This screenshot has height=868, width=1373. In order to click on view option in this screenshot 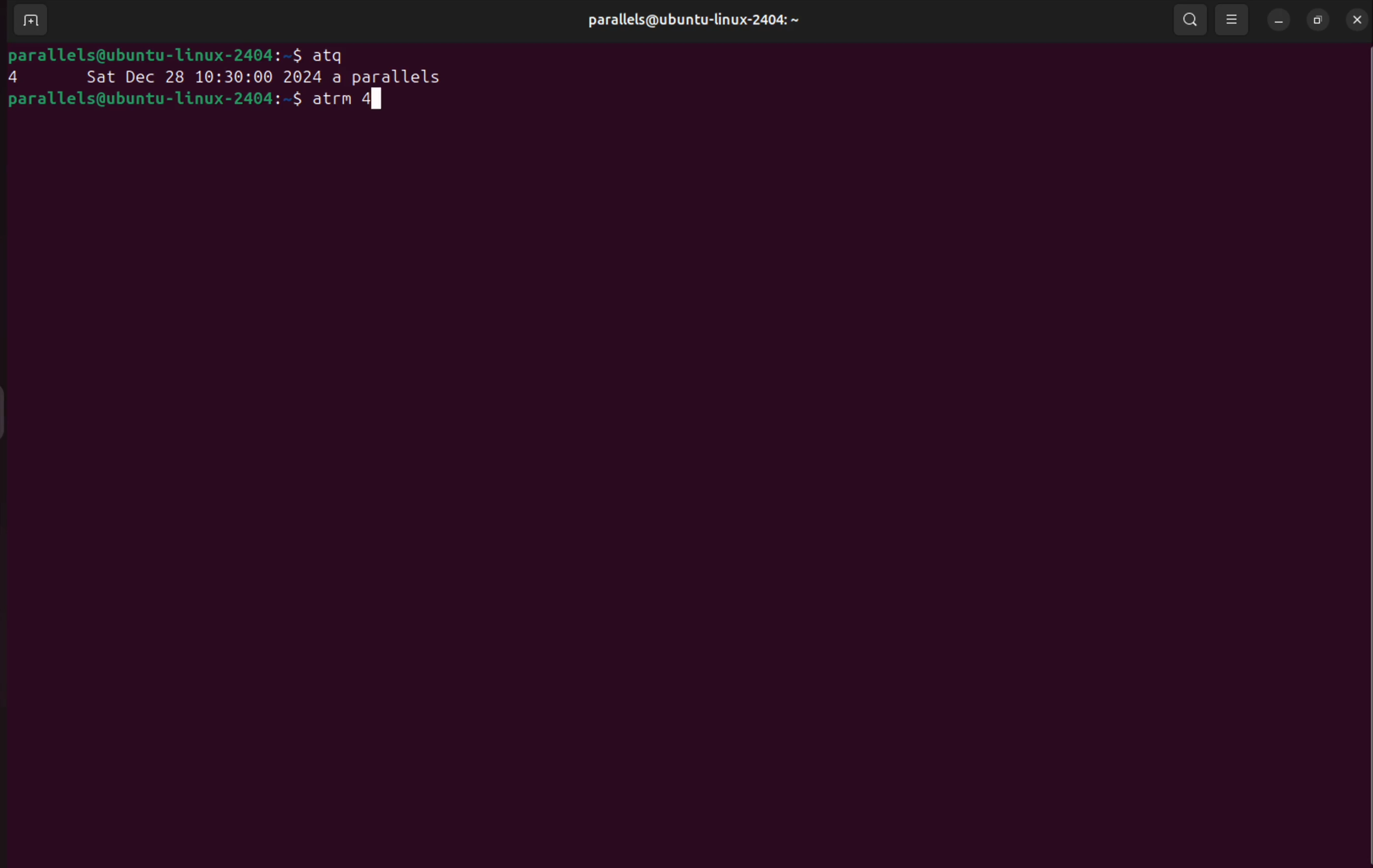, I will do `click(1235, 21)`.